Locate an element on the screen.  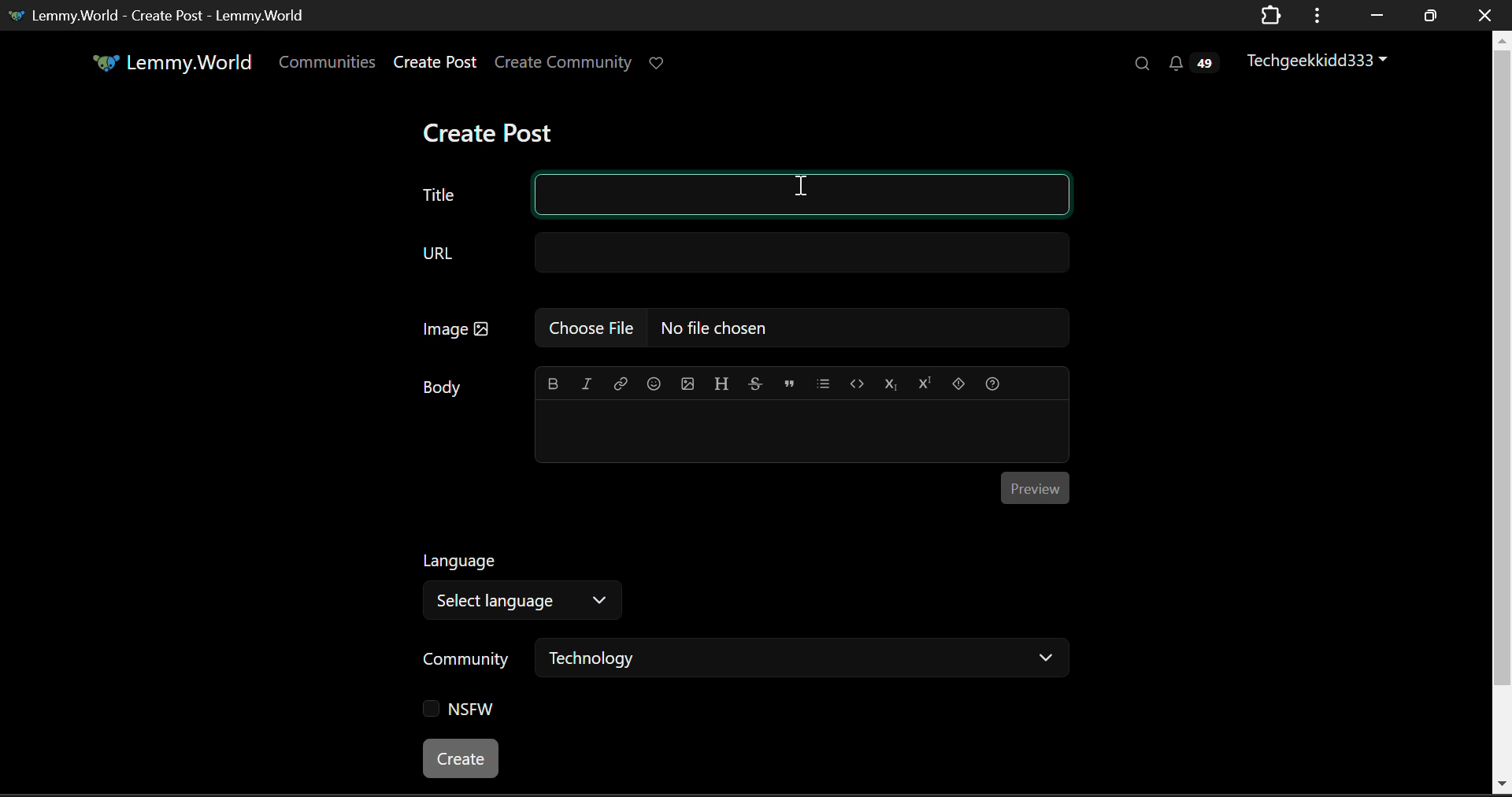
Create Community Page Link is located at coordinates (563, 61).